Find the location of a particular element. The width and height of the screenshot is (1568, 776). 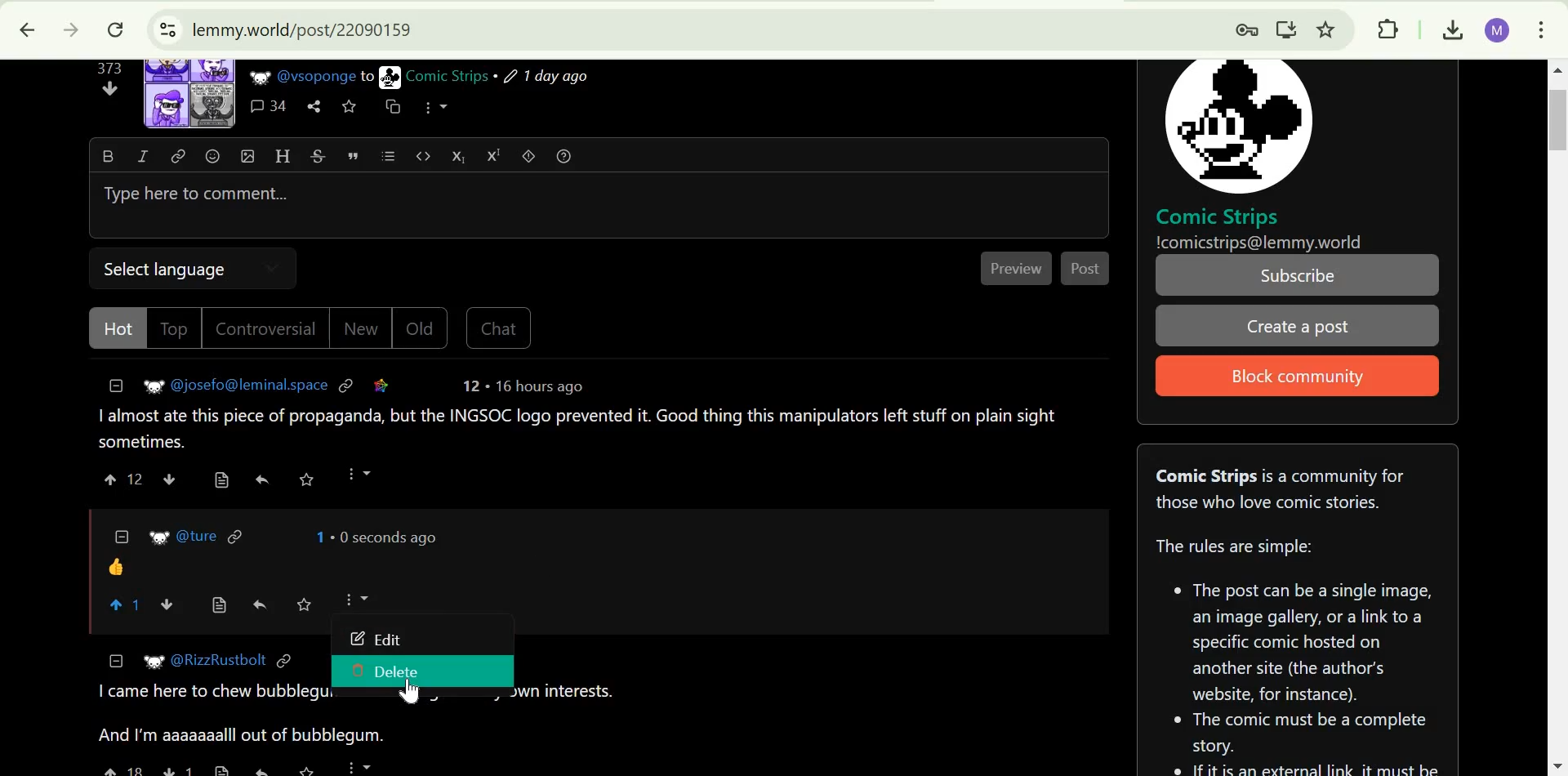

quote is located at coordinates (354, 155).